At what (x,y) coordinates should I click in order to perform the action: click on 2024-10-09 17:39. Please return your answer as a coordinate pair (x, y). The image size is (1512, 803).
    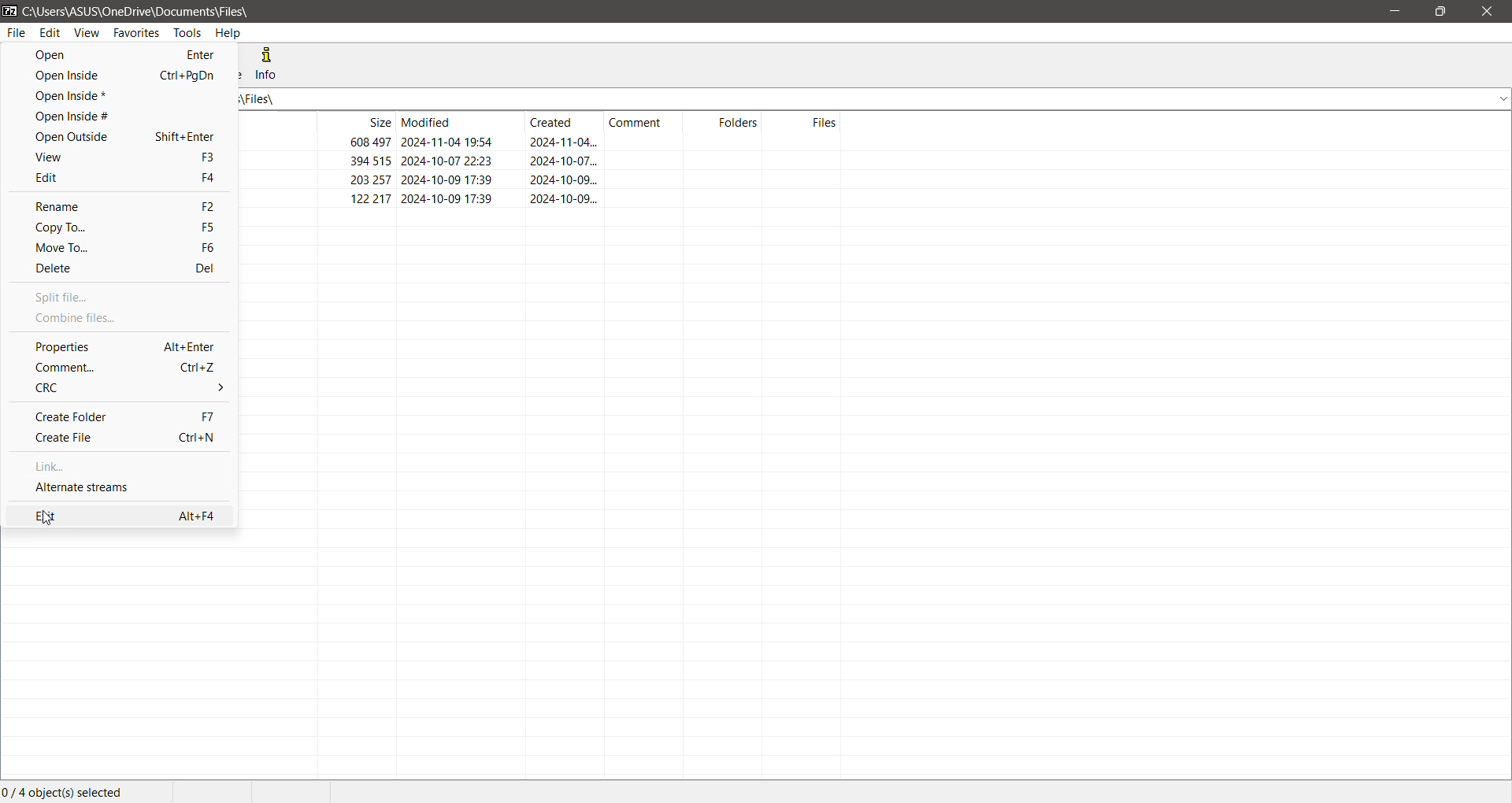
    Looking at the image, I should click on (451, 200).